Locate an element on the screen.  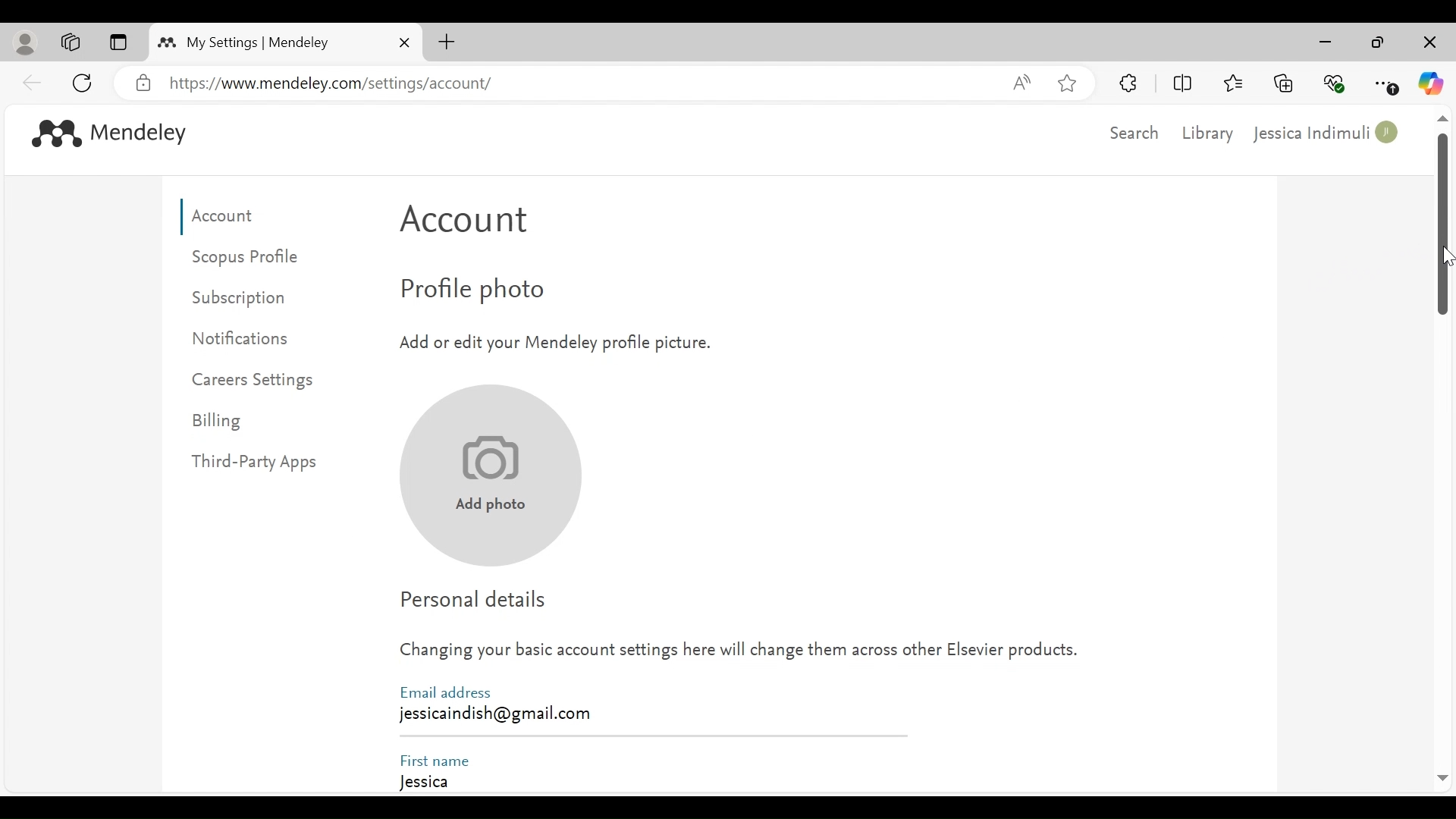
jessicaindish@gmail.com is located at coordinates (494, 714).